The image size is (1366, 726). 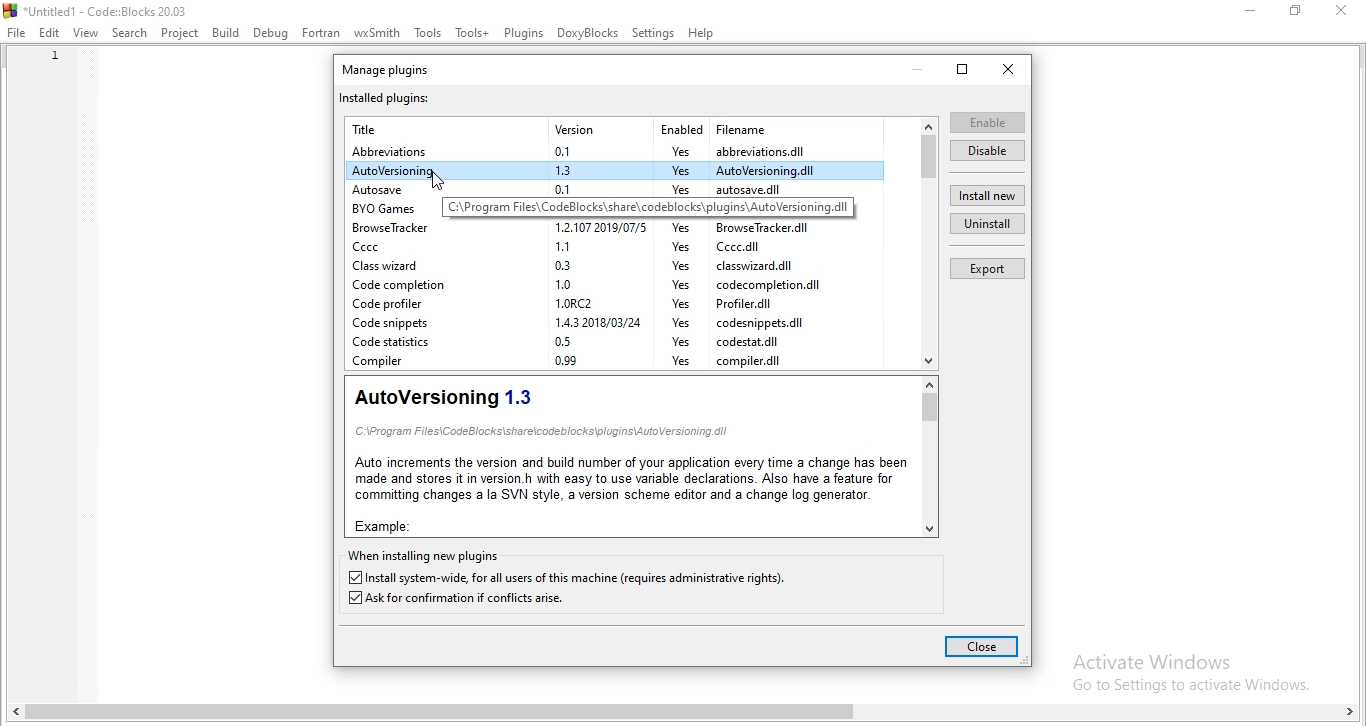 I want to click on edit, so click(x=50, y=34).